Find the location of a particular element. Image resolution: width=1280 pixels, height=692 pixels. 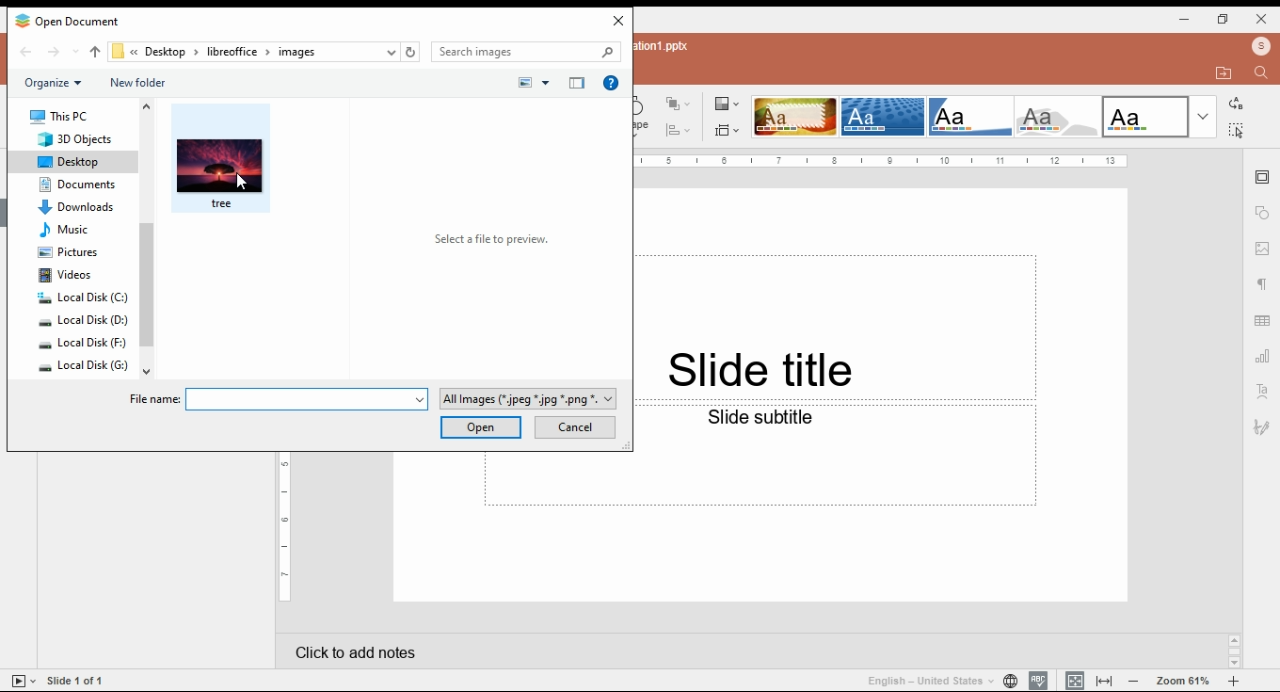

forward is located at coordinates (63, 51).